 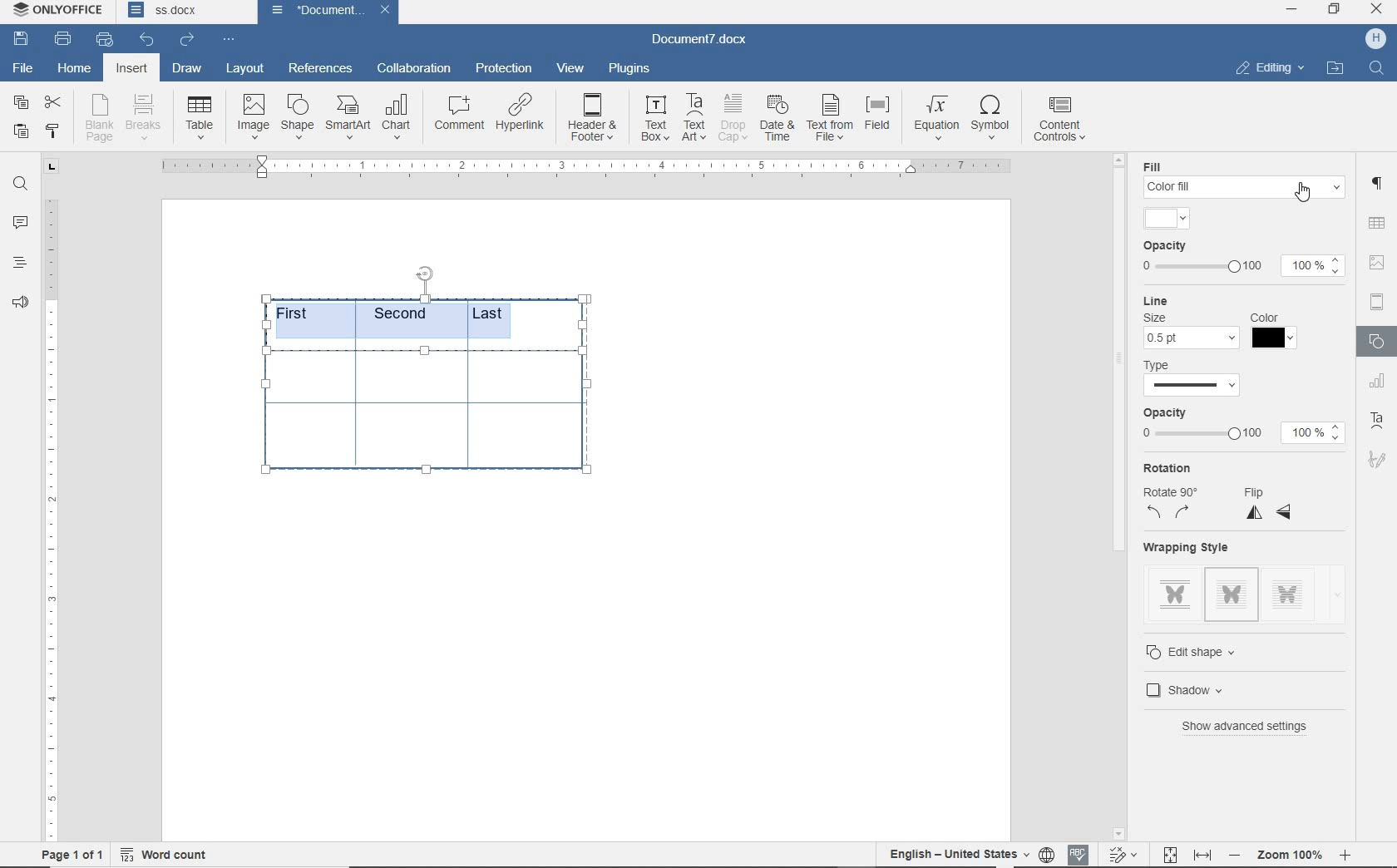 What do you see at coordinates (1276, 338) in the screenshot?
I see `color` at bounding box center [1276, 338].